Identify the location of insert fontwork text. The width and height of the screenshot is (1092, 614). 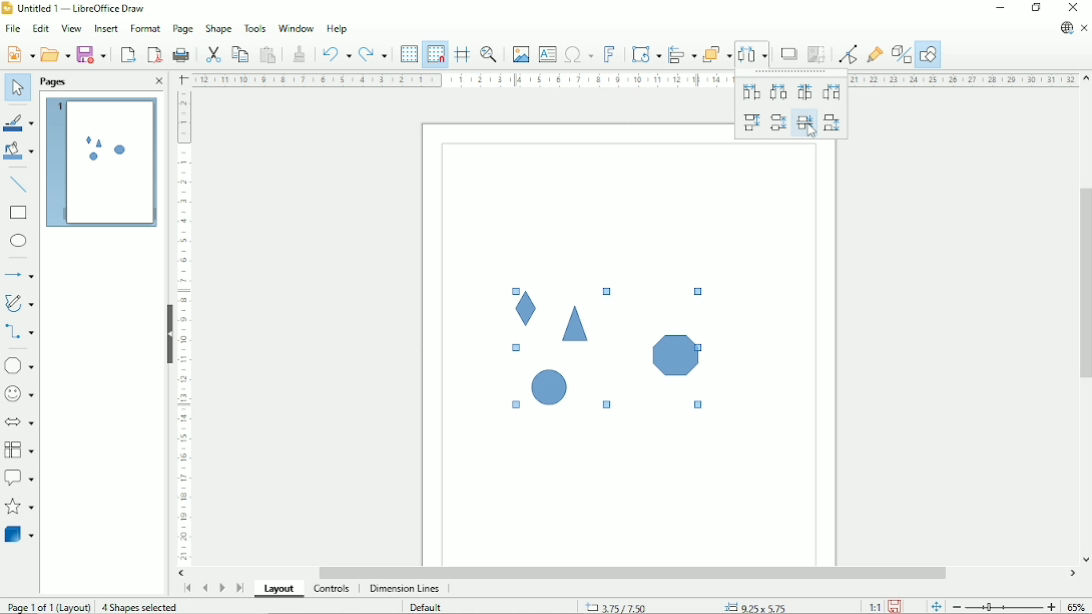
(610, 54).